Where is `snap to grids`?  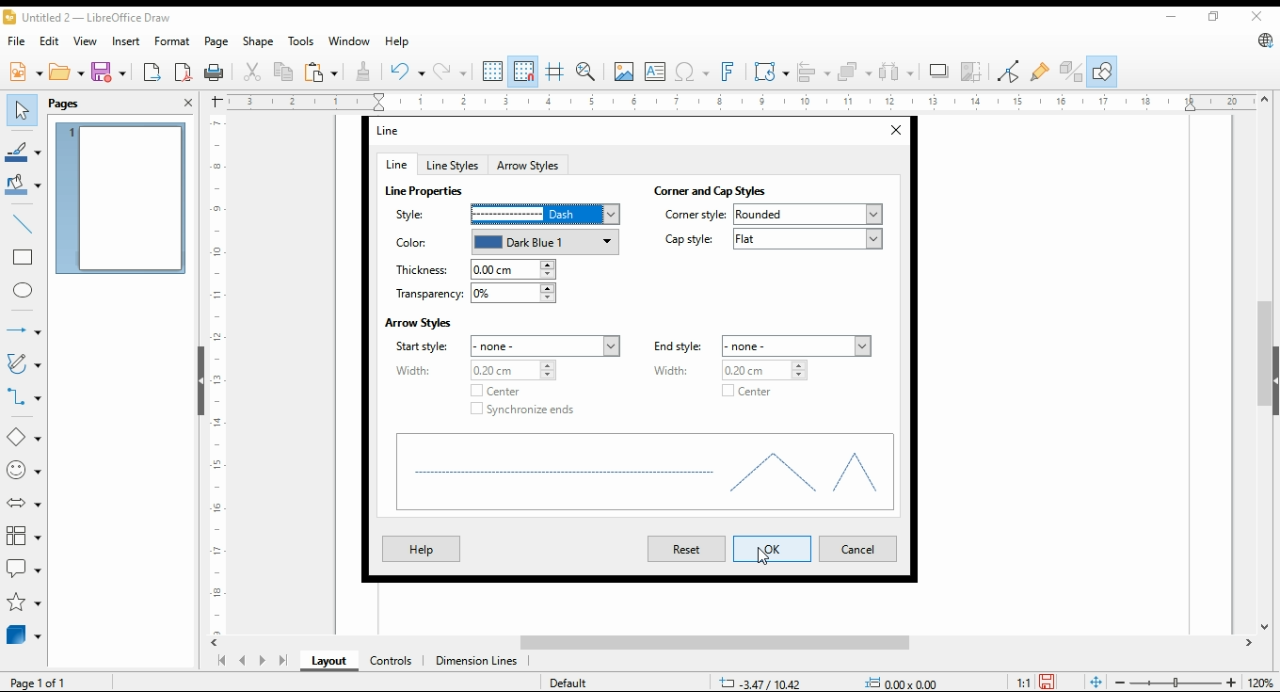
snap to grids is located at coordinates (524, 72).